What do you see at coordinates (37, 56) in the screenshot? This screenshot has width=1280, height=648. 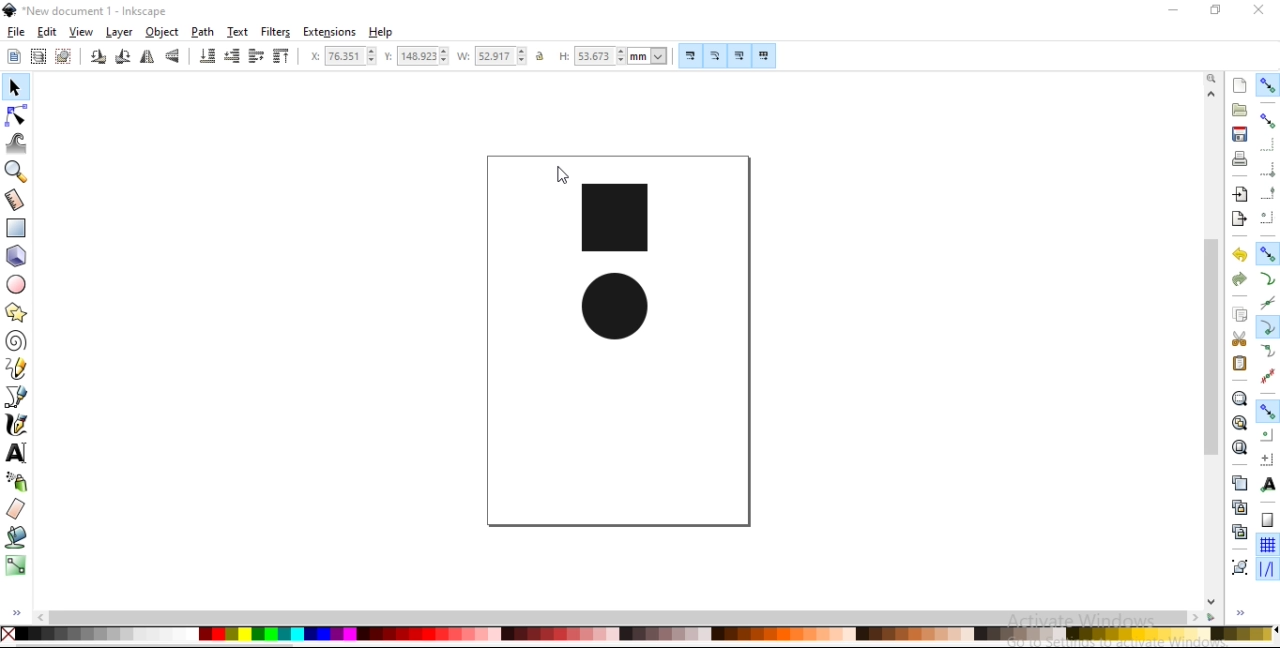 I see `select all objects in all visible and unlocked layers` at bounding box center [37, 56].